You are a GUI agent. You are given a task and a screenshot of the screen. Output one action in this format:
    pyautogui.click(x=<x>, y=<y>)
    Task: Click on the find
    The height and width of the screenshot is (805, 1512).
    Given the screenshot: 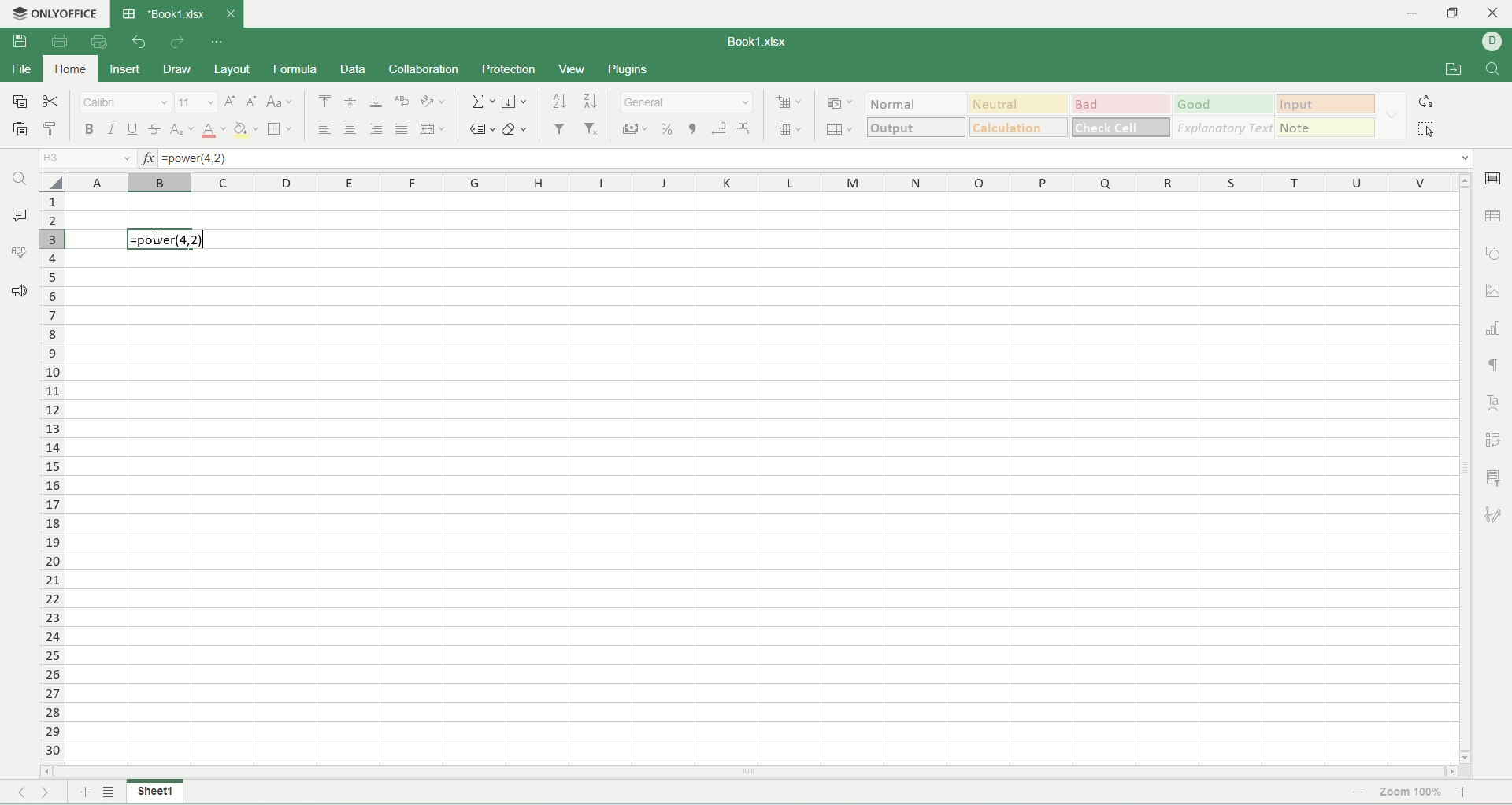 What is the action you would take?
    pyautogui.click(x=18, y=180)
    